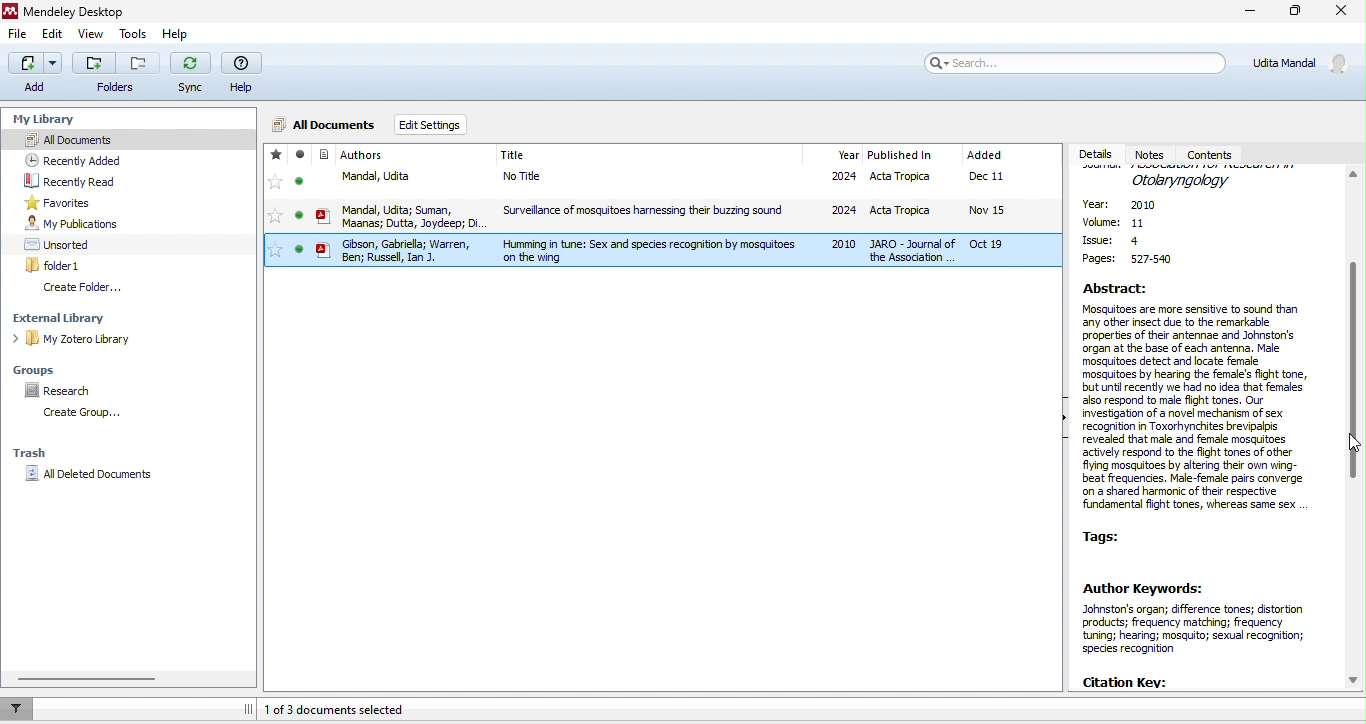 The width and height of the screenshot is (1366, 724). I want to click on journal title, so click(514, 156).